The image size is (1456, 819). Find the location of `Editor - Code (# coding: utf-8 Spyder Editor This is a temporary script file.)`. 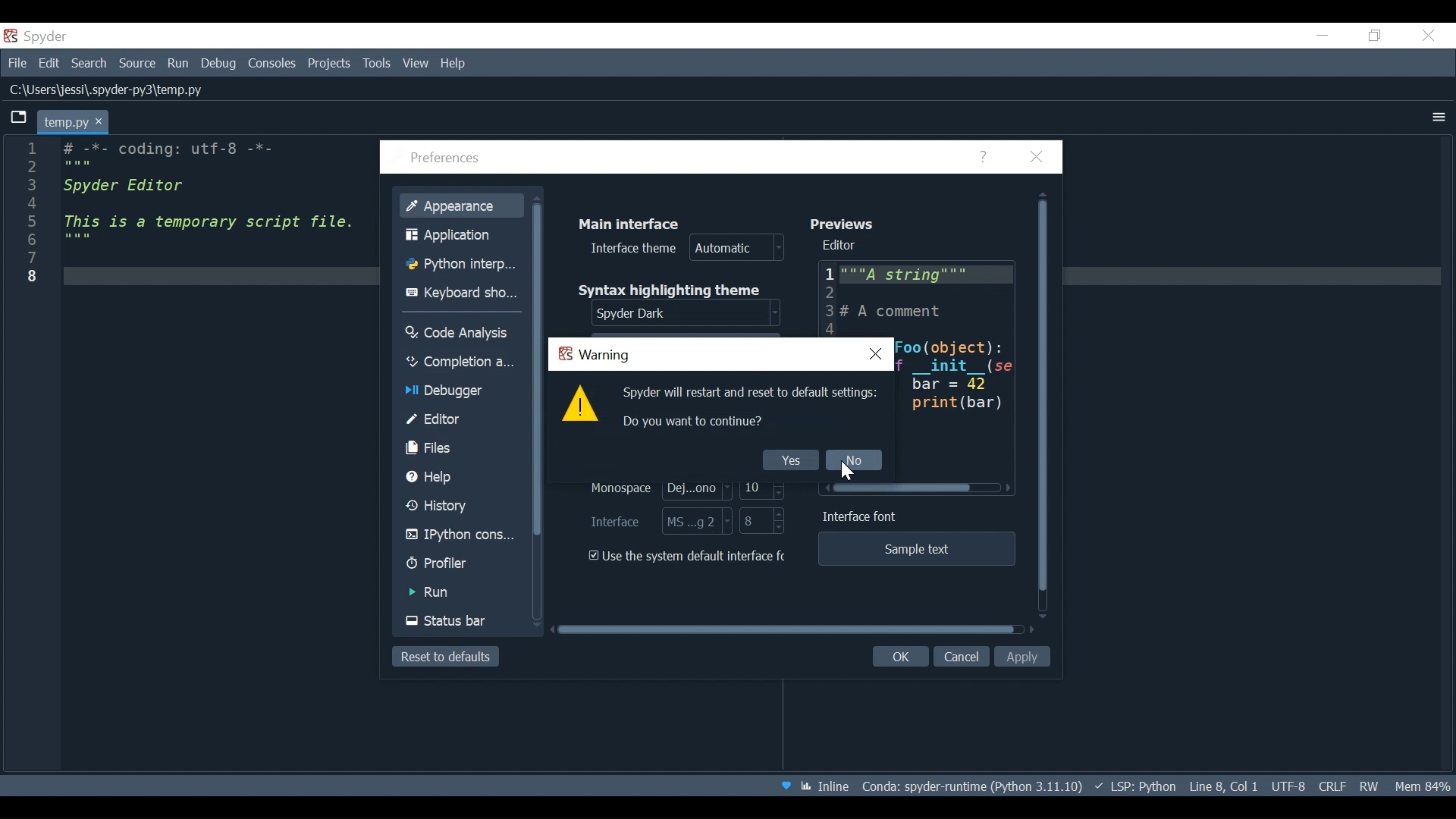

Editor - Code (# coding: utf-8 Spyder Editor This is a temporary script file.) is located at coordinates (203, 214).